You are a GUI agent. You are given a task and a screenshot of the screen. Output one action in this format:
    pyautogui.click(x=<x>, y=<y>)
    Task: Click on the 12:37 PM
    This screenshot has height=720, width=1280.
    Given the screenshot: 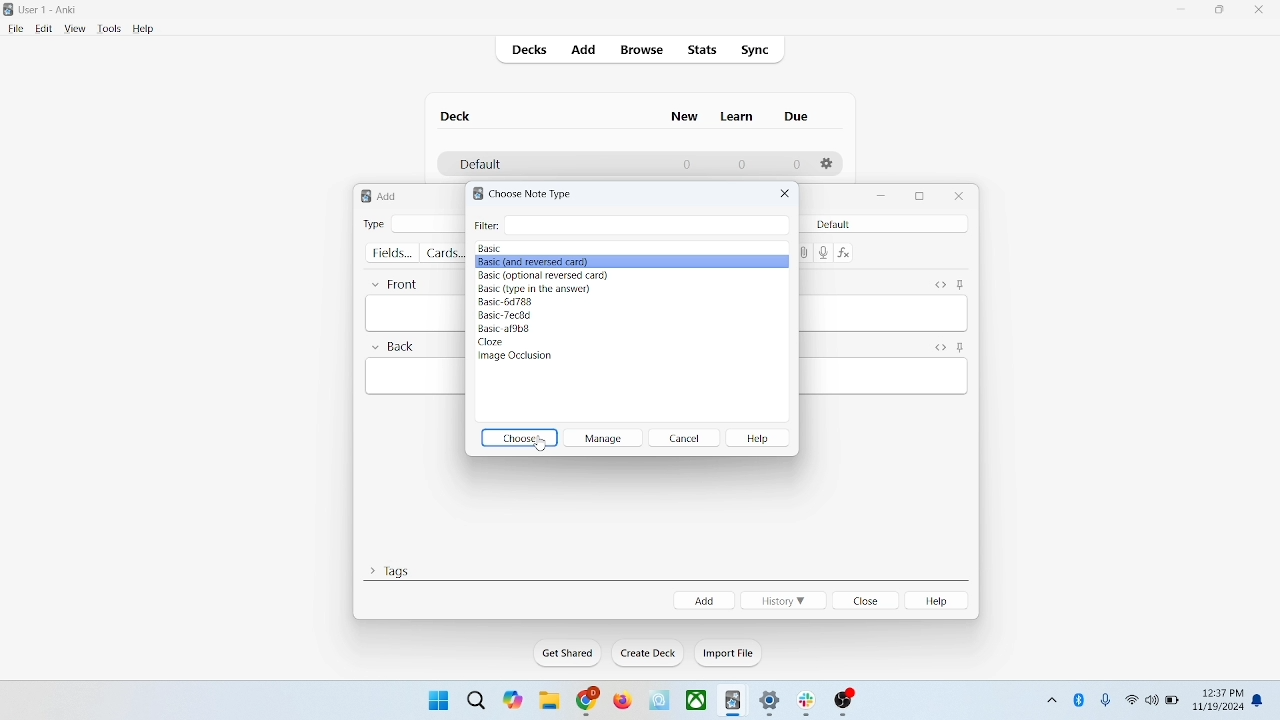 What is the action you would take?
    pyautogui.click(x=1221, y=693)
    